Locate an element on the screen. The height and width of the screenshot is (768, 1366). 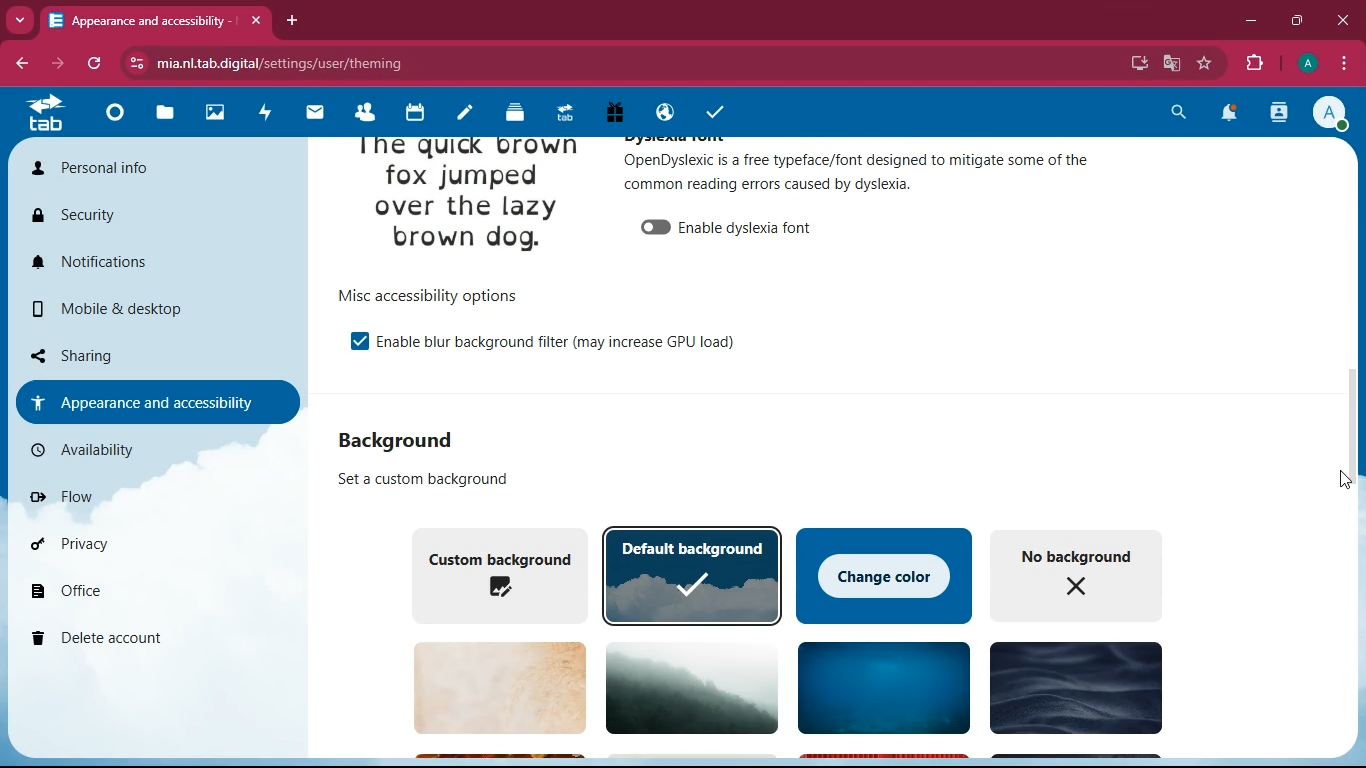
availability is located at coordinates (145, 450).